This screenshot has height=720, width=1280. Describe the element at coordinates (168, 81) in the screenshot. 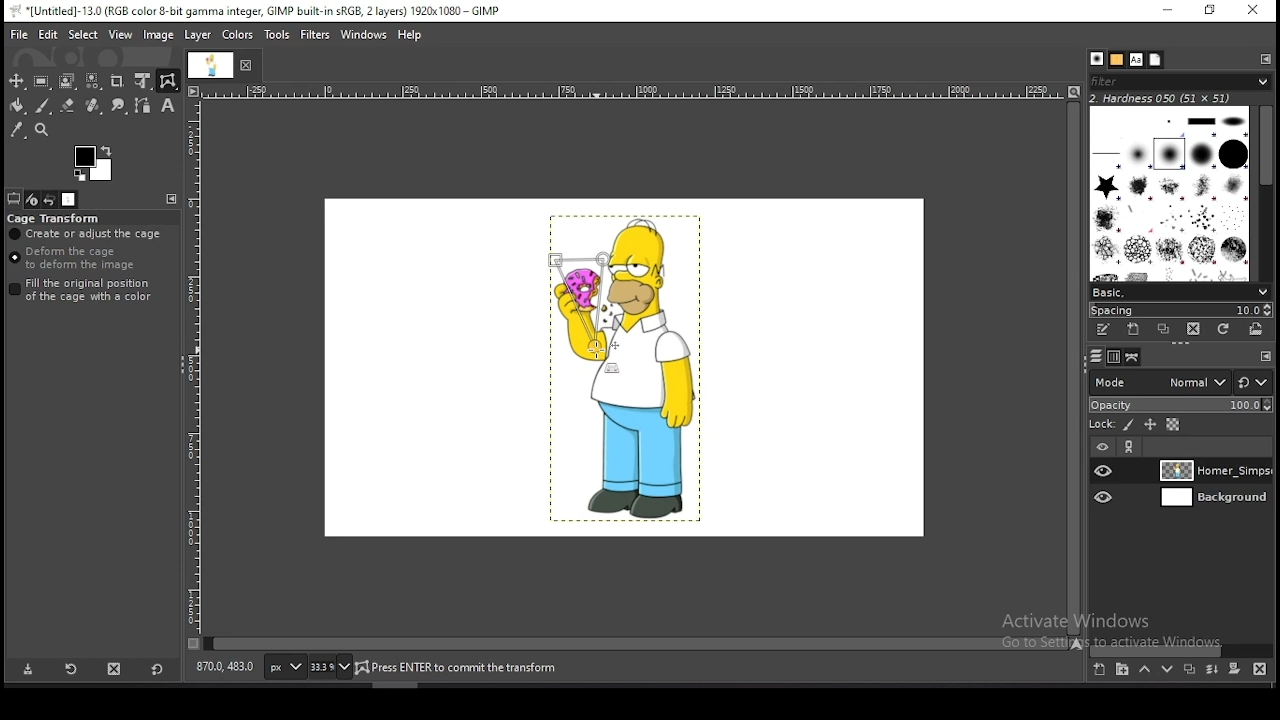

I see `cage transform` at that location.